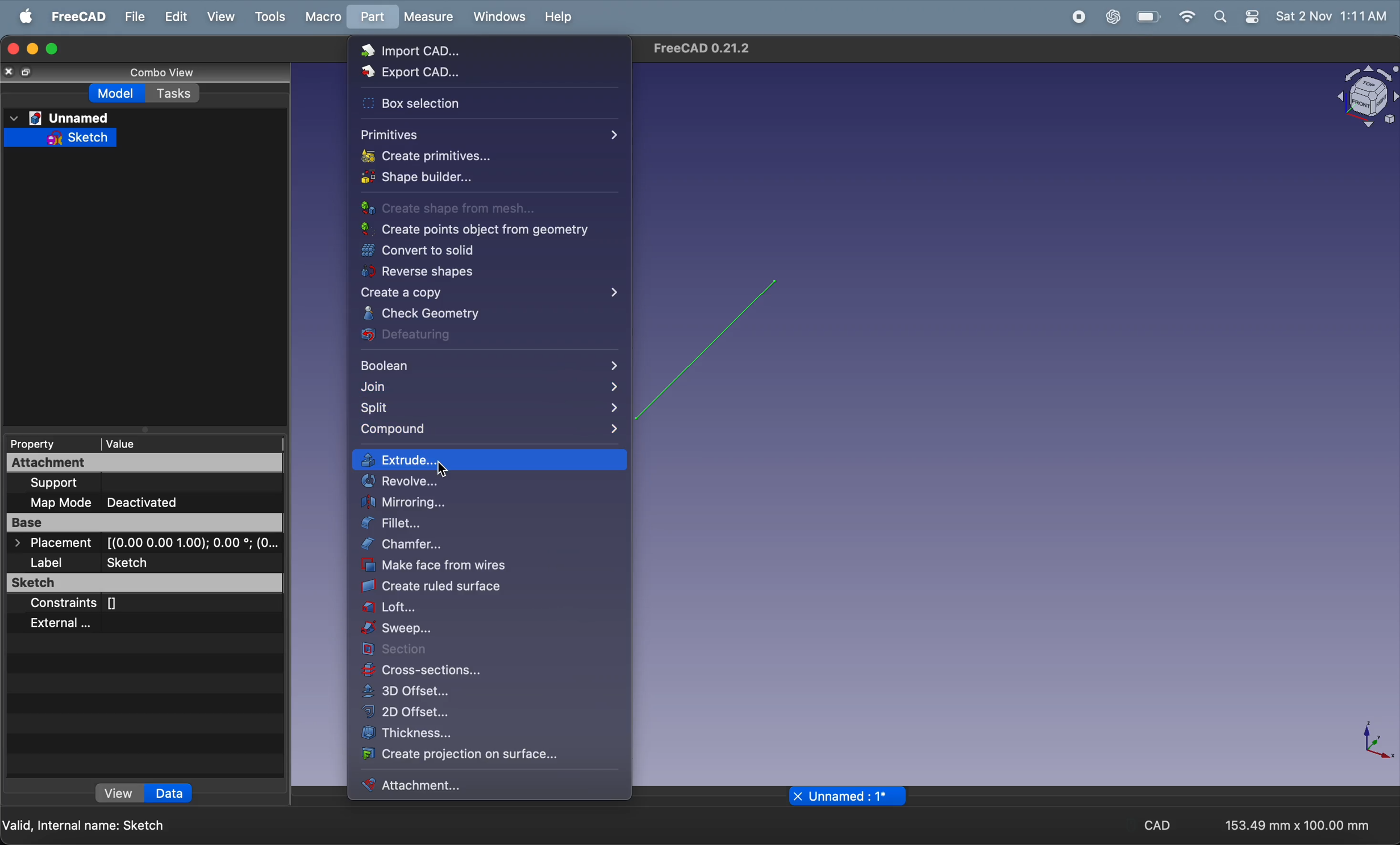  I want to click on 2D offset..., so click(484, 713).